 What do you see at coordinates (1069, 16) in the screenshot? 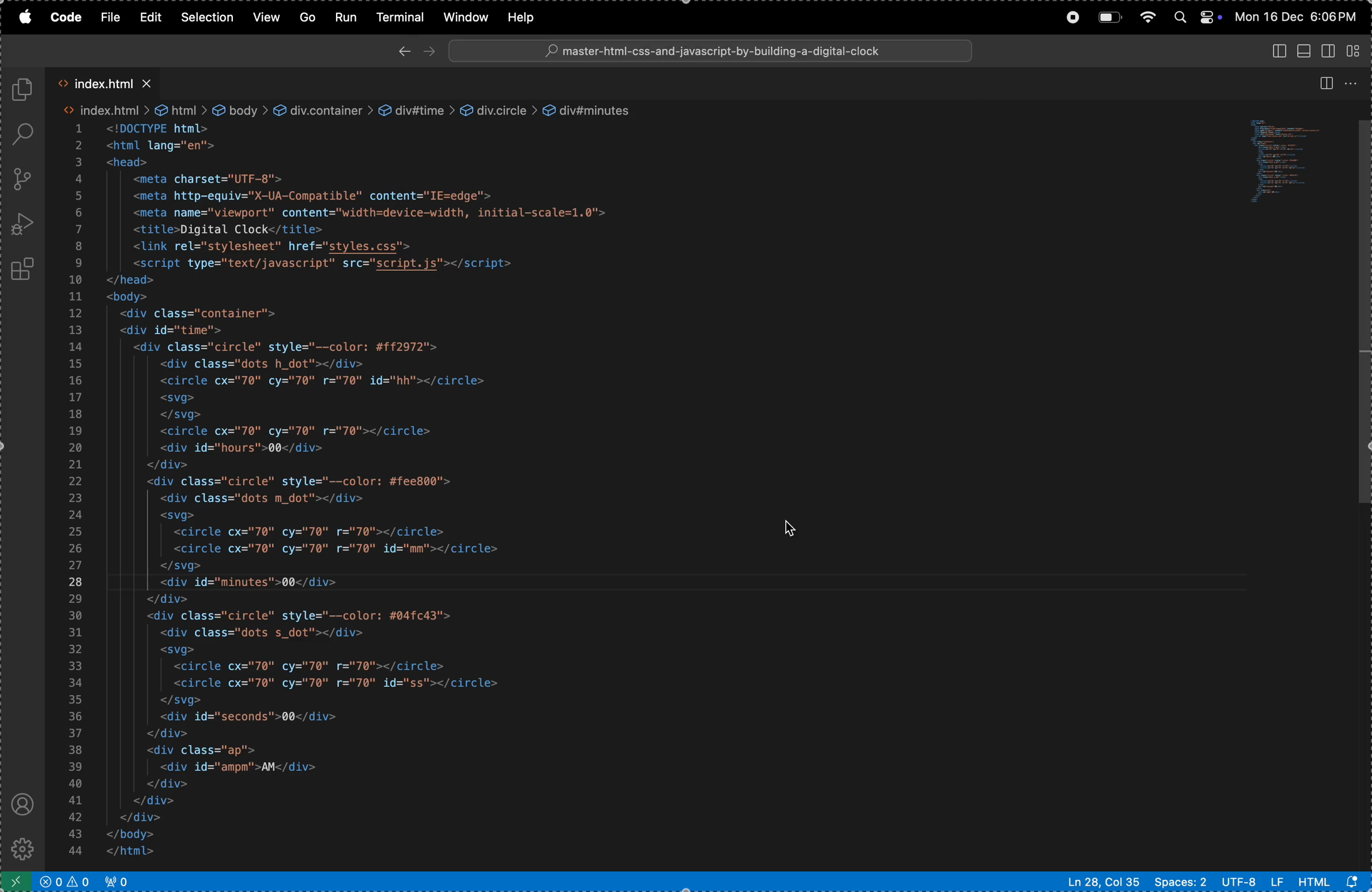
I see `record` at bounding box center [1069, 16].